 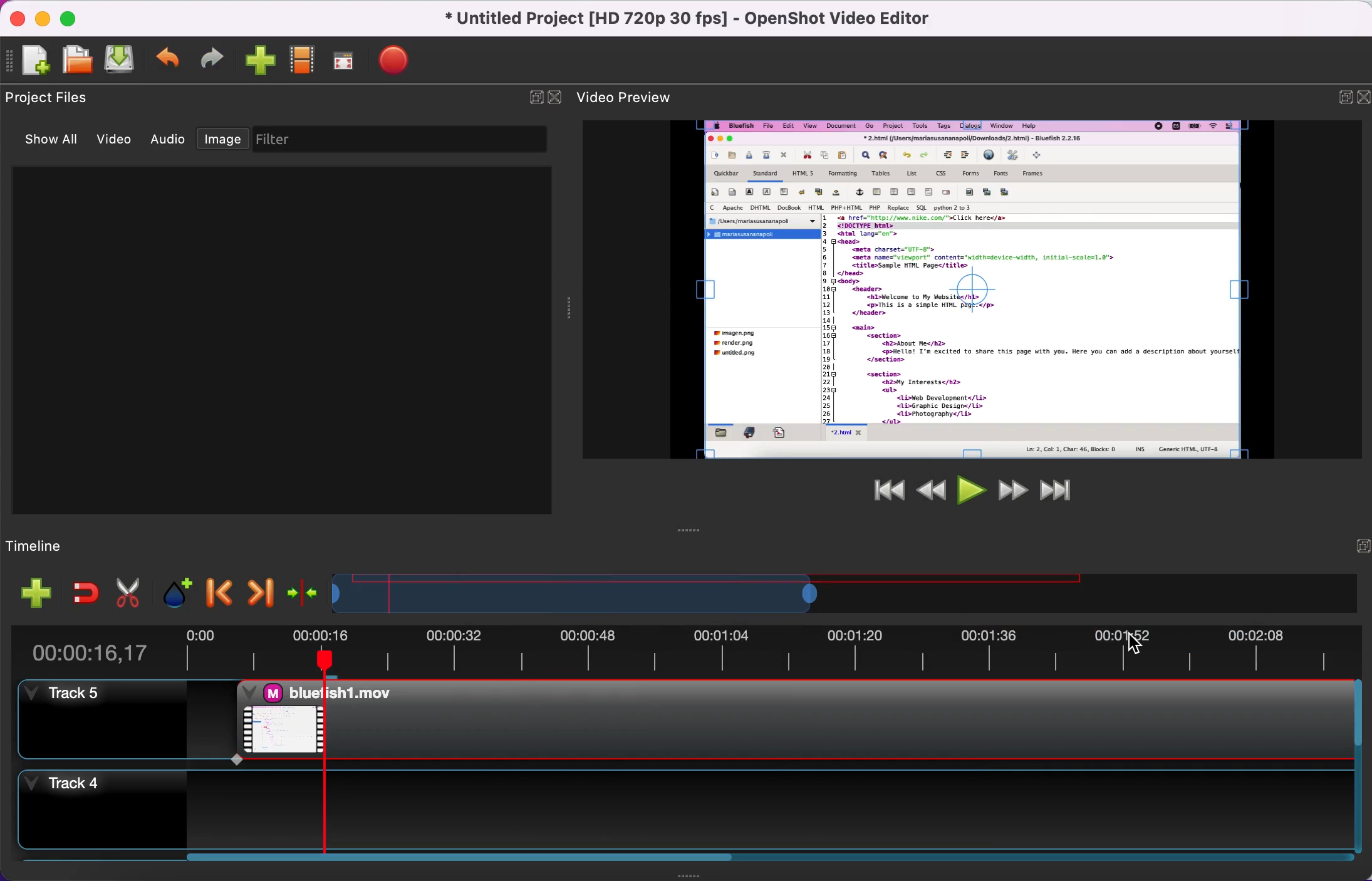 I want to click on full screen, so click(x=350, y=61).